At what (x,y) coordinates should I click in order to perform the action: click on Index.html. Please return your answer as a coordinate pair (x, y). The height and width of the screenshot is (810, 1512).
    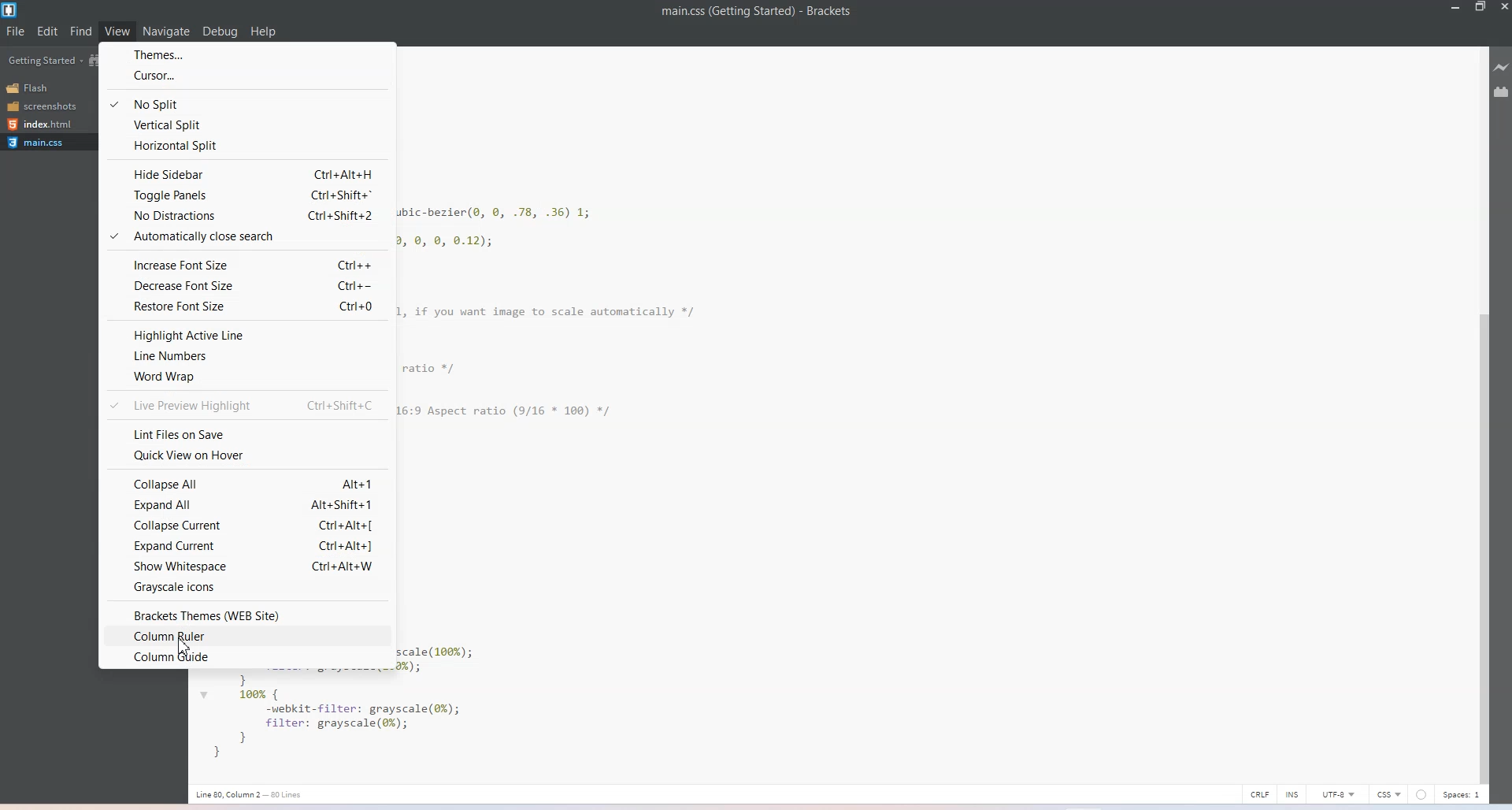
    Looking at the image, I should click on (46, 124).